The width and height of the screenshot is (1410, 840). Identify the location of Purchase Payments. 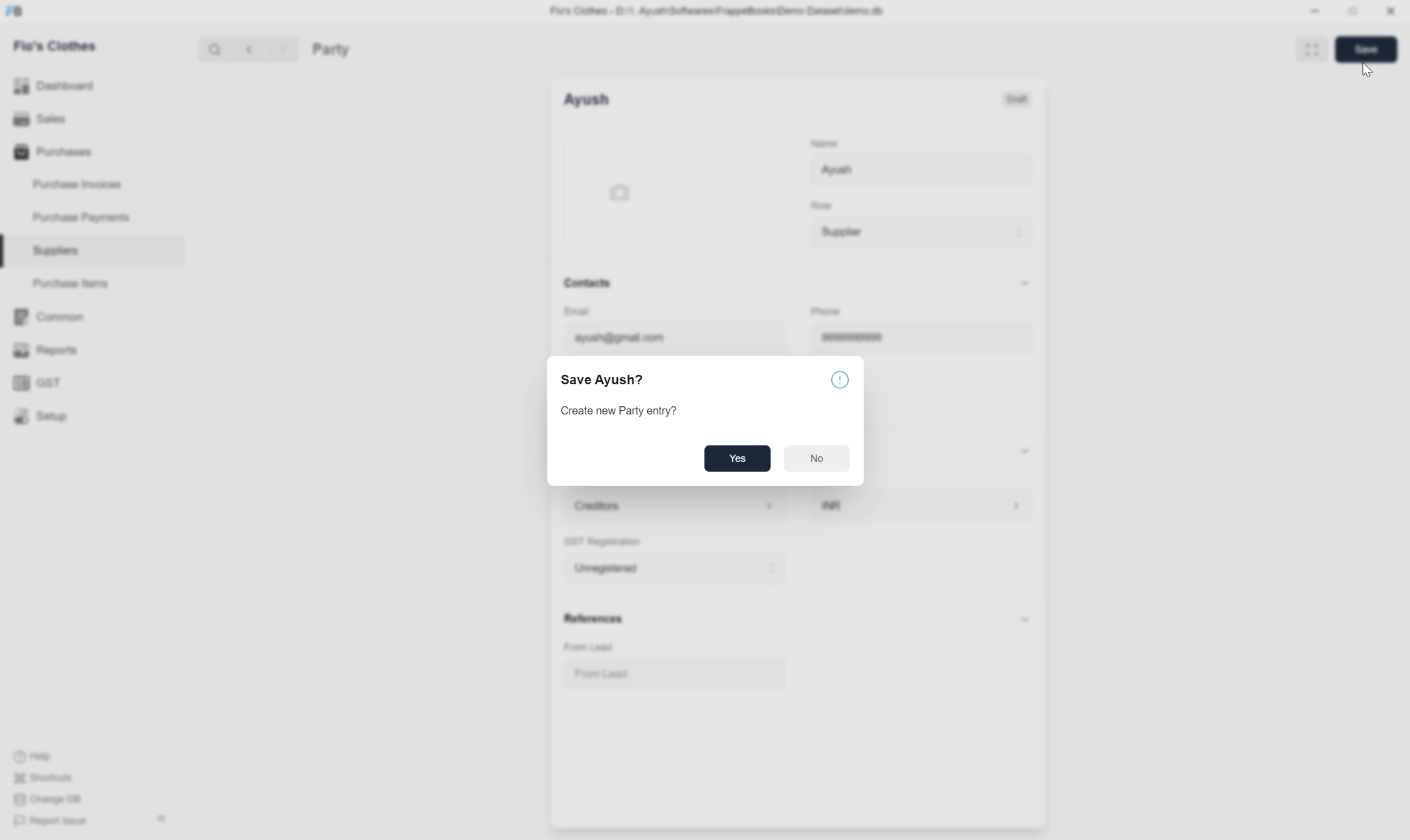
(92, 218).